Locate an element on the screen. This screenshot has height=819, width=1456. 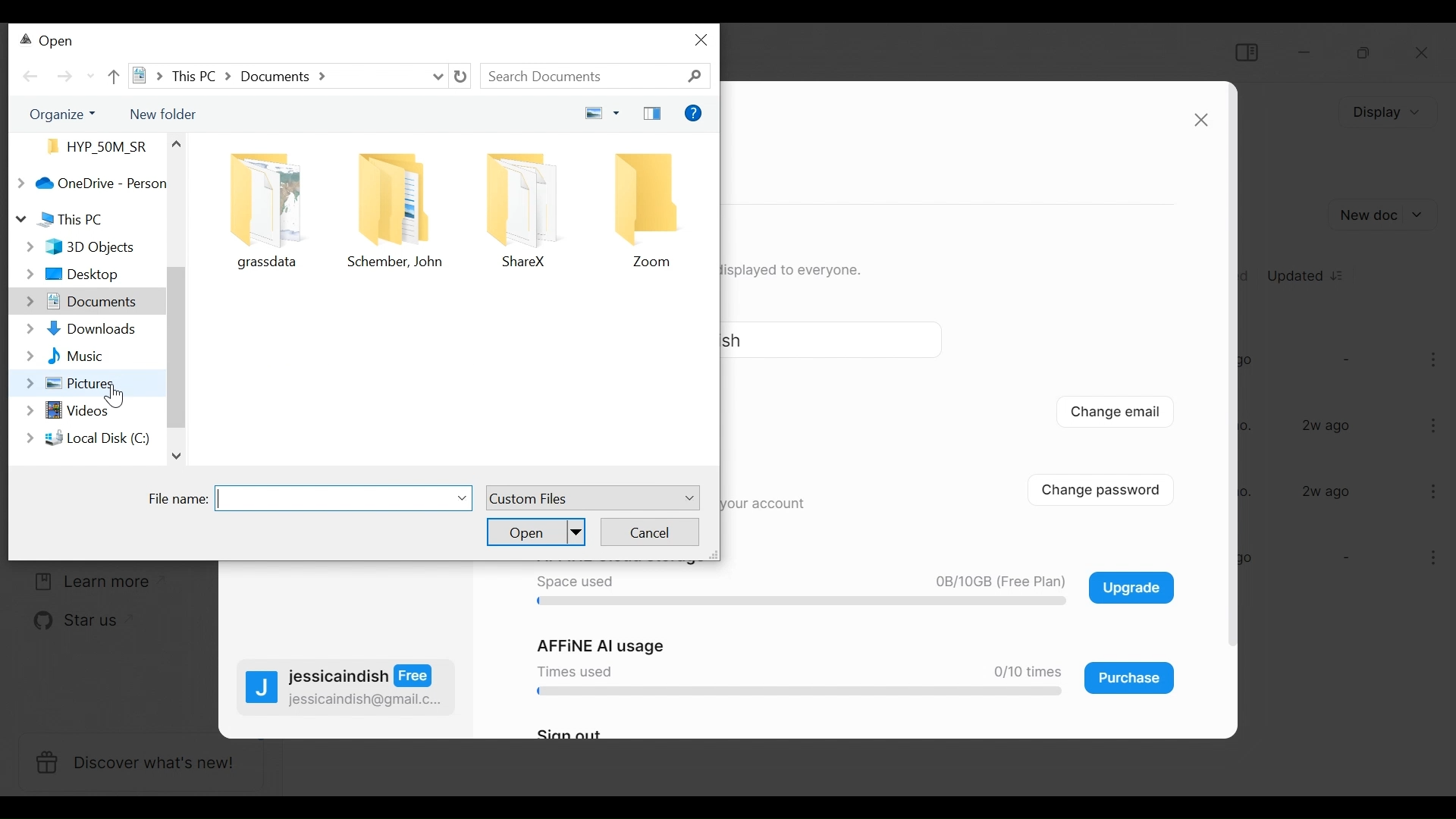
Music is located at coordinates (64, 358).